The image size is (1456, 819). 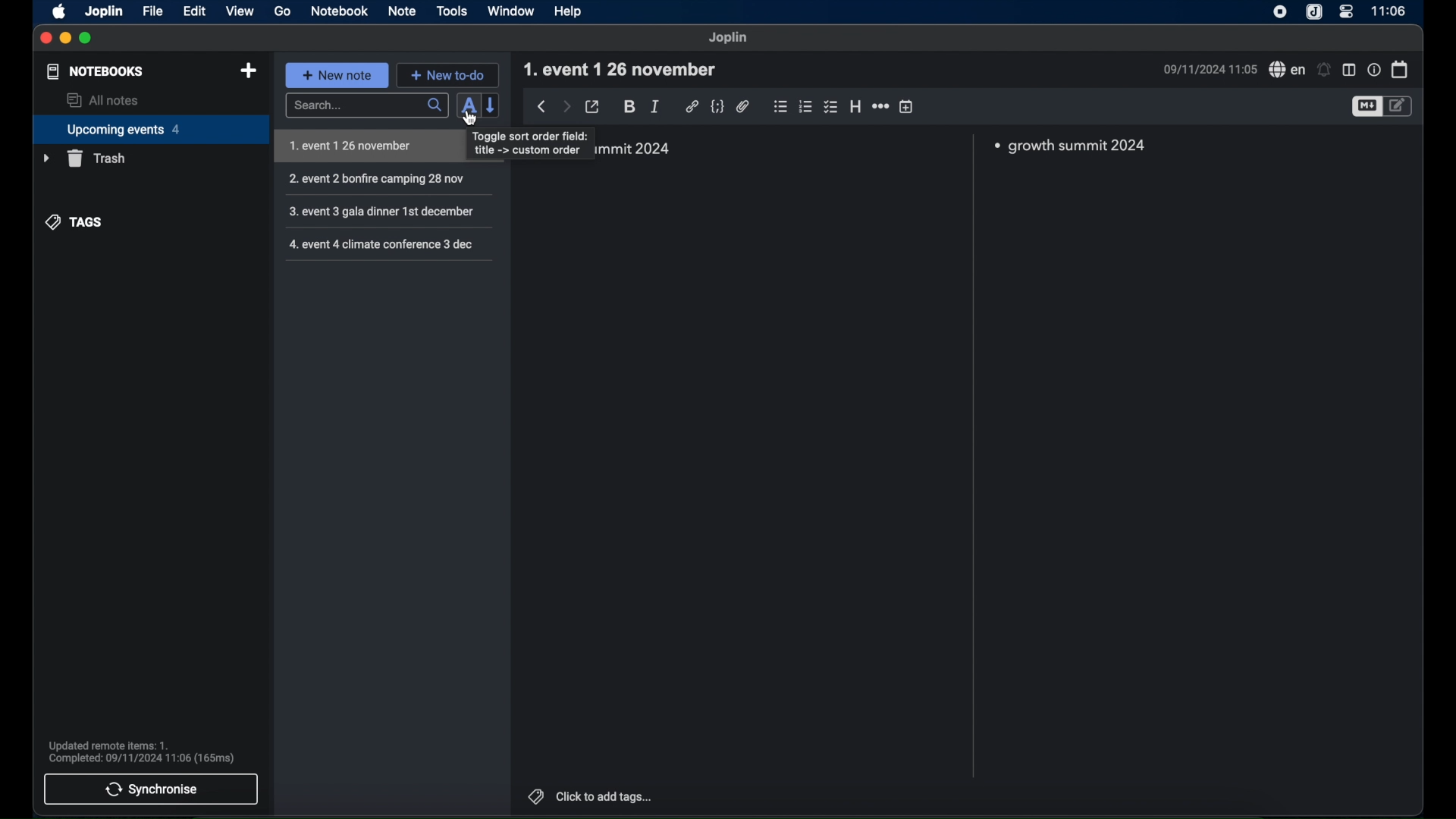 What do you see at coordinates (45, 37) in the screenshot?
I see `close` at bounding box center [45, 37].